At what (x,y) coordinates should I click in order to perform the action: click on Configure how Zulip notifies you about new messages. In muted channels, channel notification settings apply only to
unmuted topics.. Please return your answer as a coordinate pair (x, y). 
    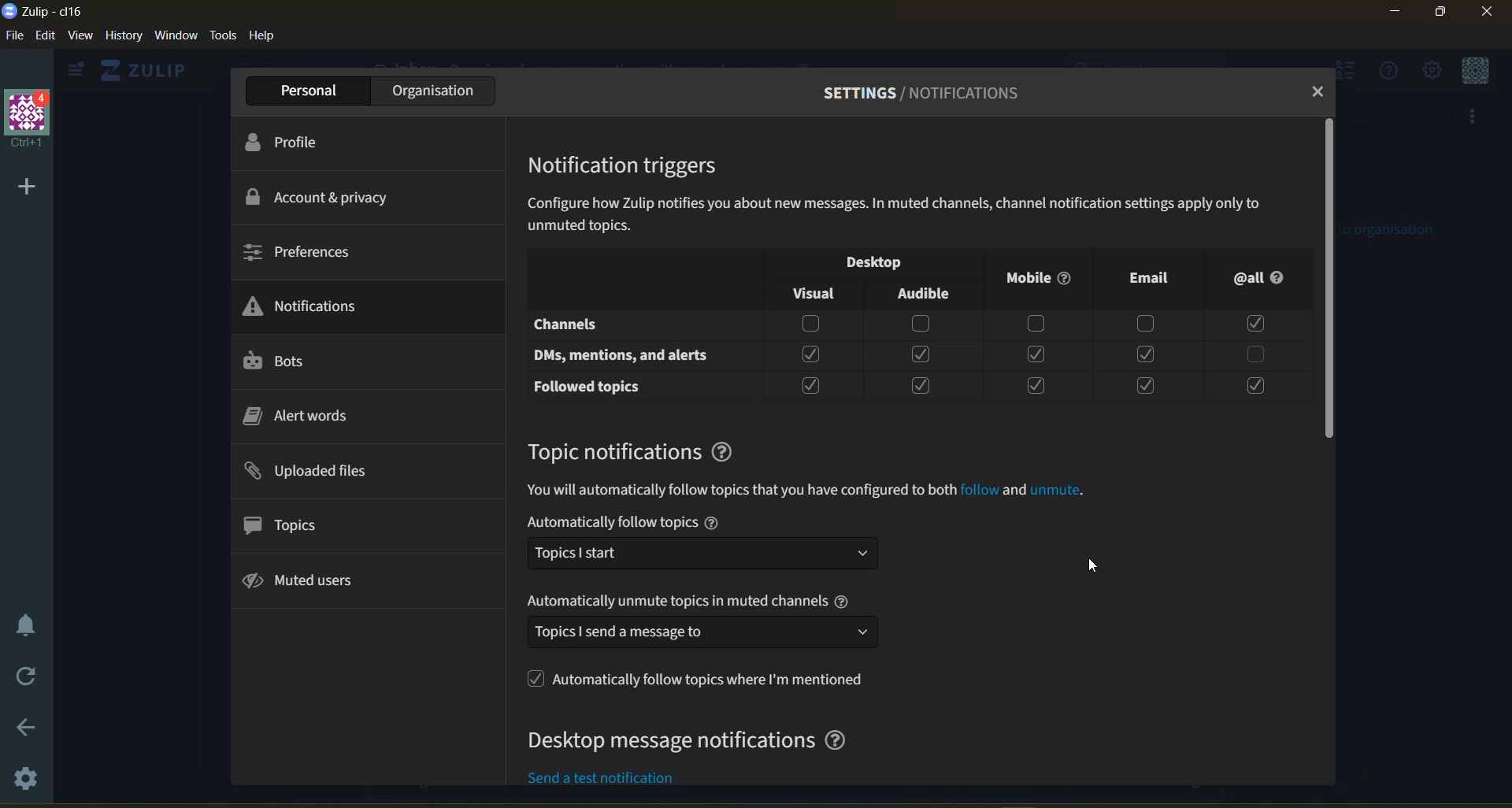
    Looking at the image, I should click on (898, 215).